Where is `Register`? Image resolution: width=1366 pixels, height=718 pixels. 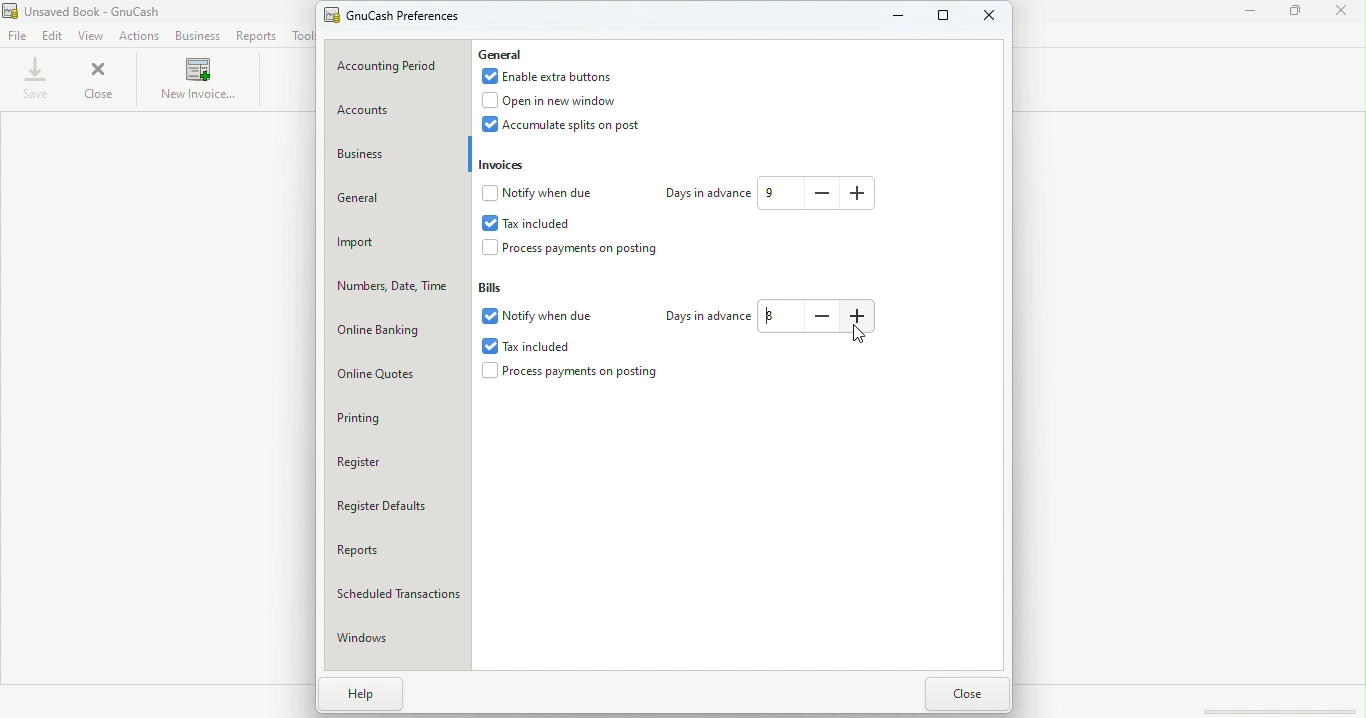
Register is located at coordinates (393, 459).